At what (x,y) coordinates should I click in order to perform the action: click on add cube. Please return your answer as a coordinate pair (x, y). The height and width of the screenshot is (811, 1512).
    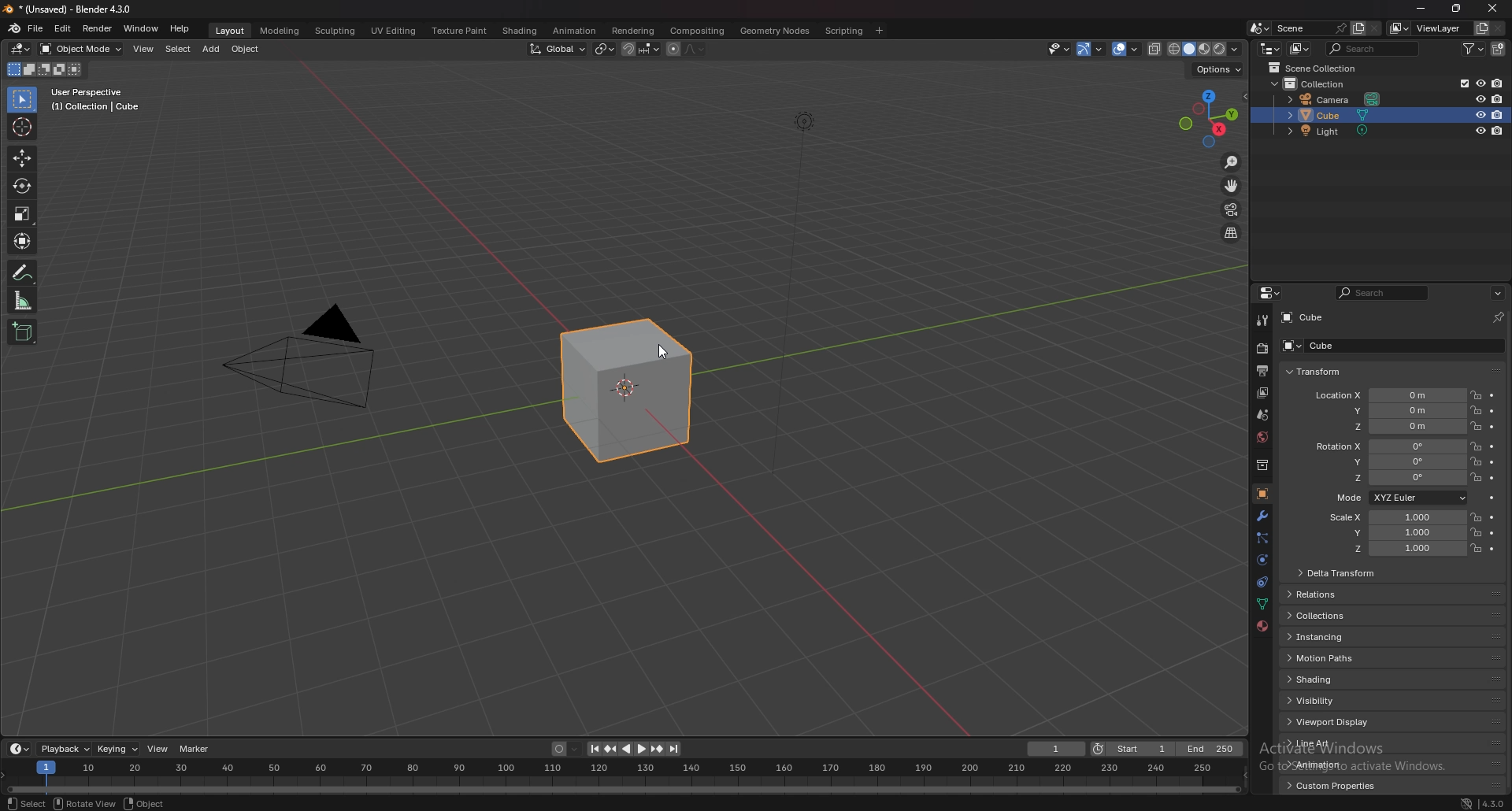
    Looking at the image, I should click on (21, 332).